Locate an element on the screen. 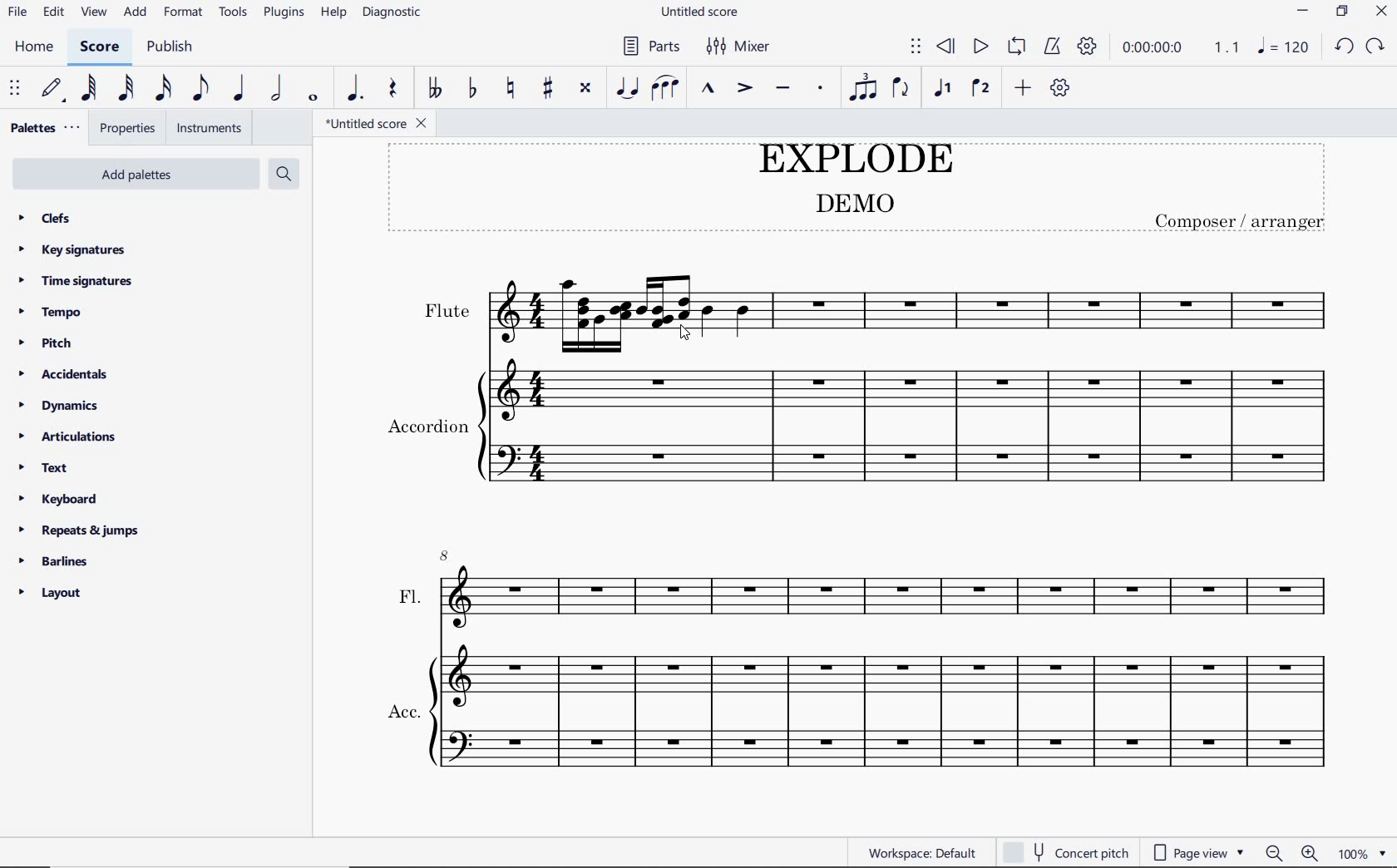  toggle natural is located at coordinates (511, 89).